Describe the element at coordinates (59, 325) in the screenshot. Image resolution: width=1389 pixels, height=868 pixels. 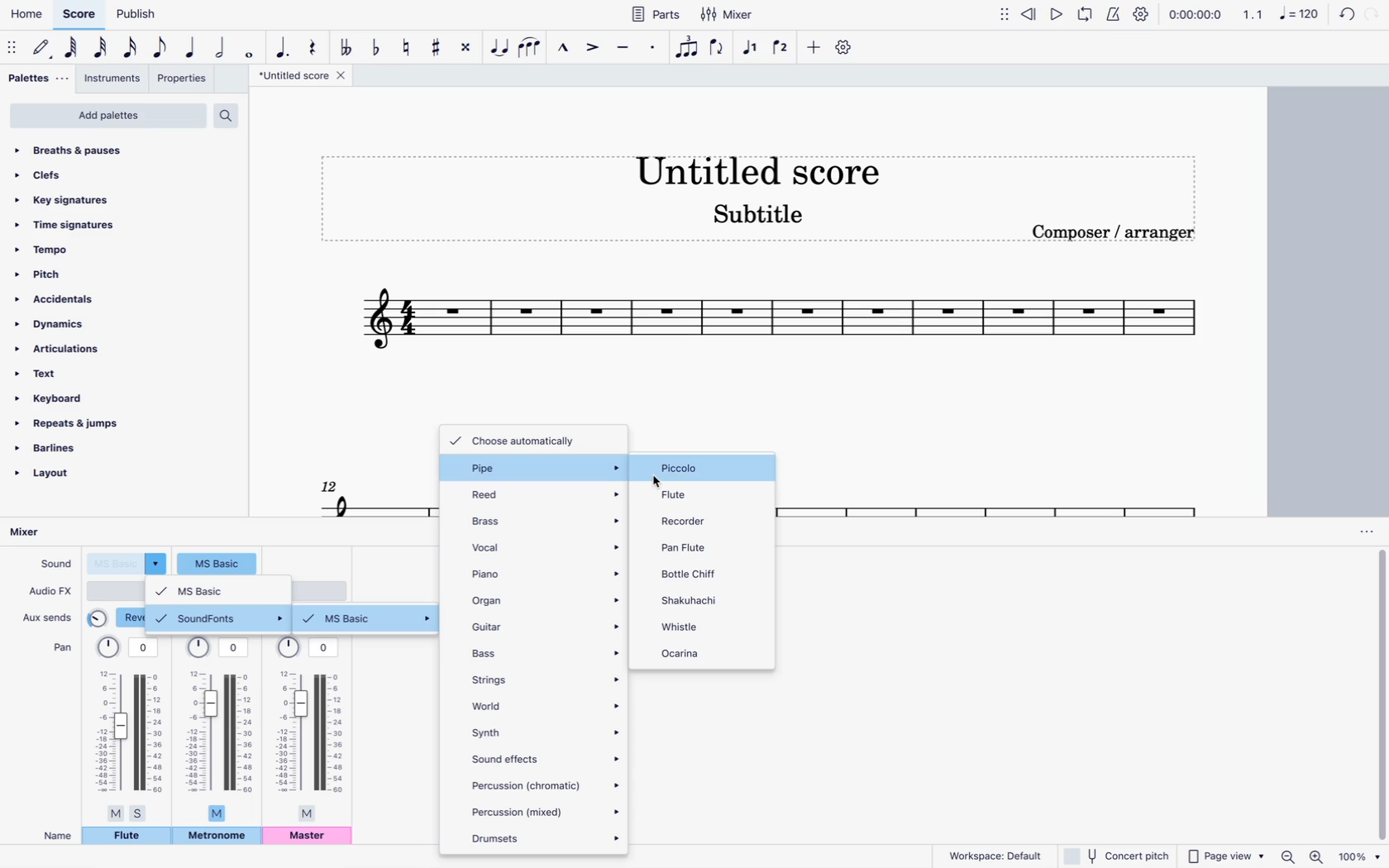
I see `dynamics` at that location.